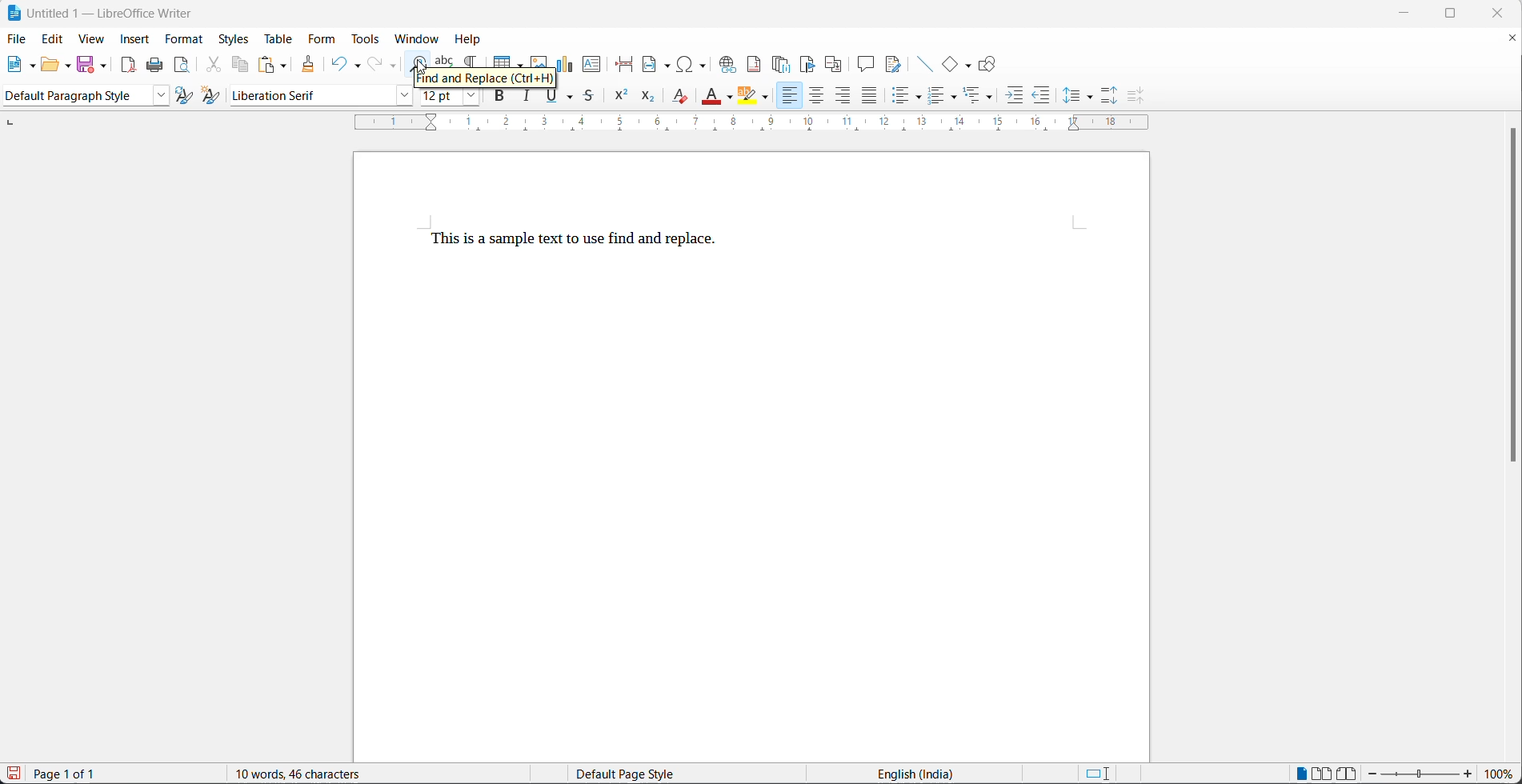 This screenshot has height=784, width=1522. I want to click on bold, so click(501, 98).